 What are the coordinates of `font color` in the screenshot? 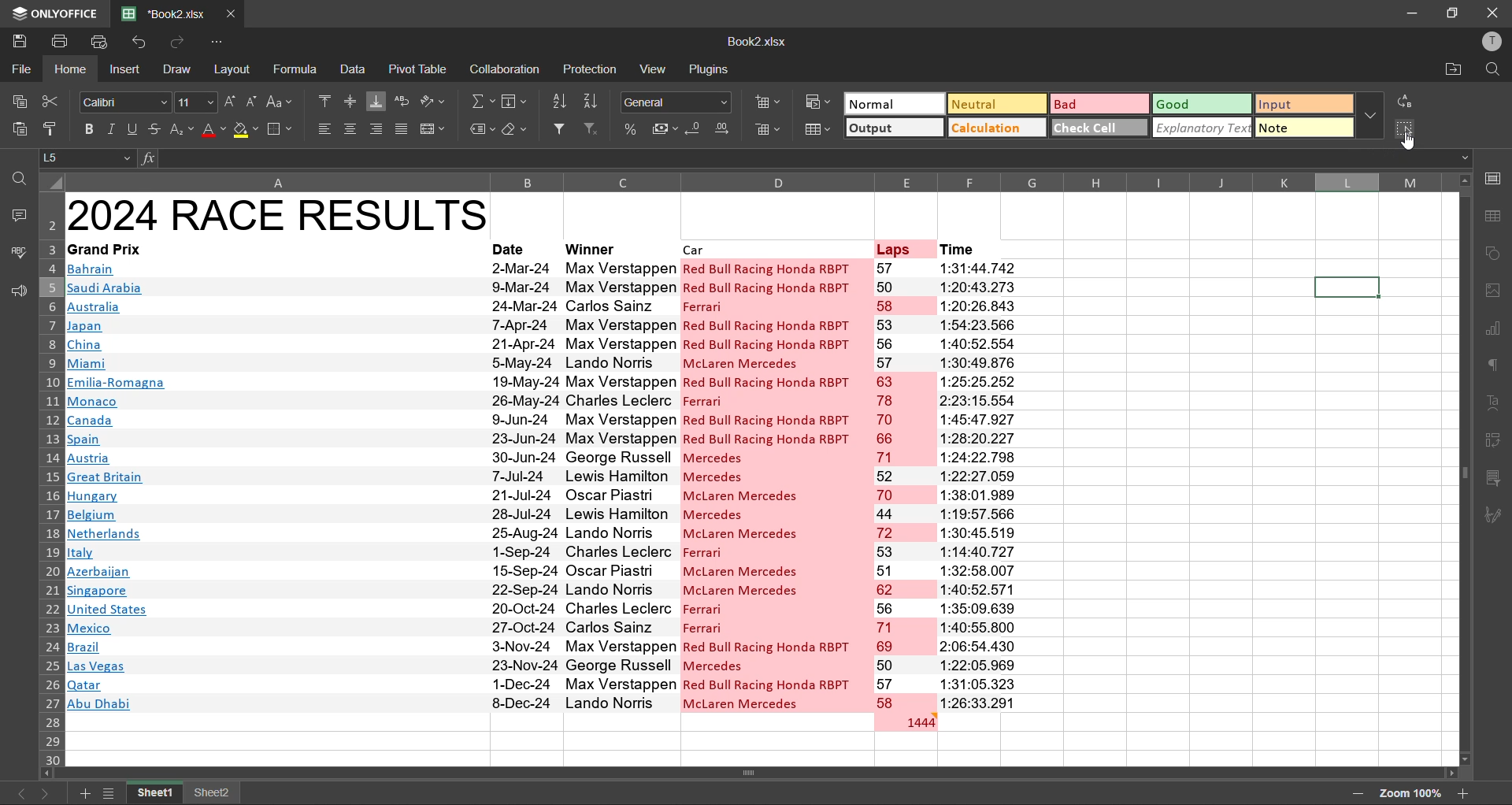 It's located at (213, 133).